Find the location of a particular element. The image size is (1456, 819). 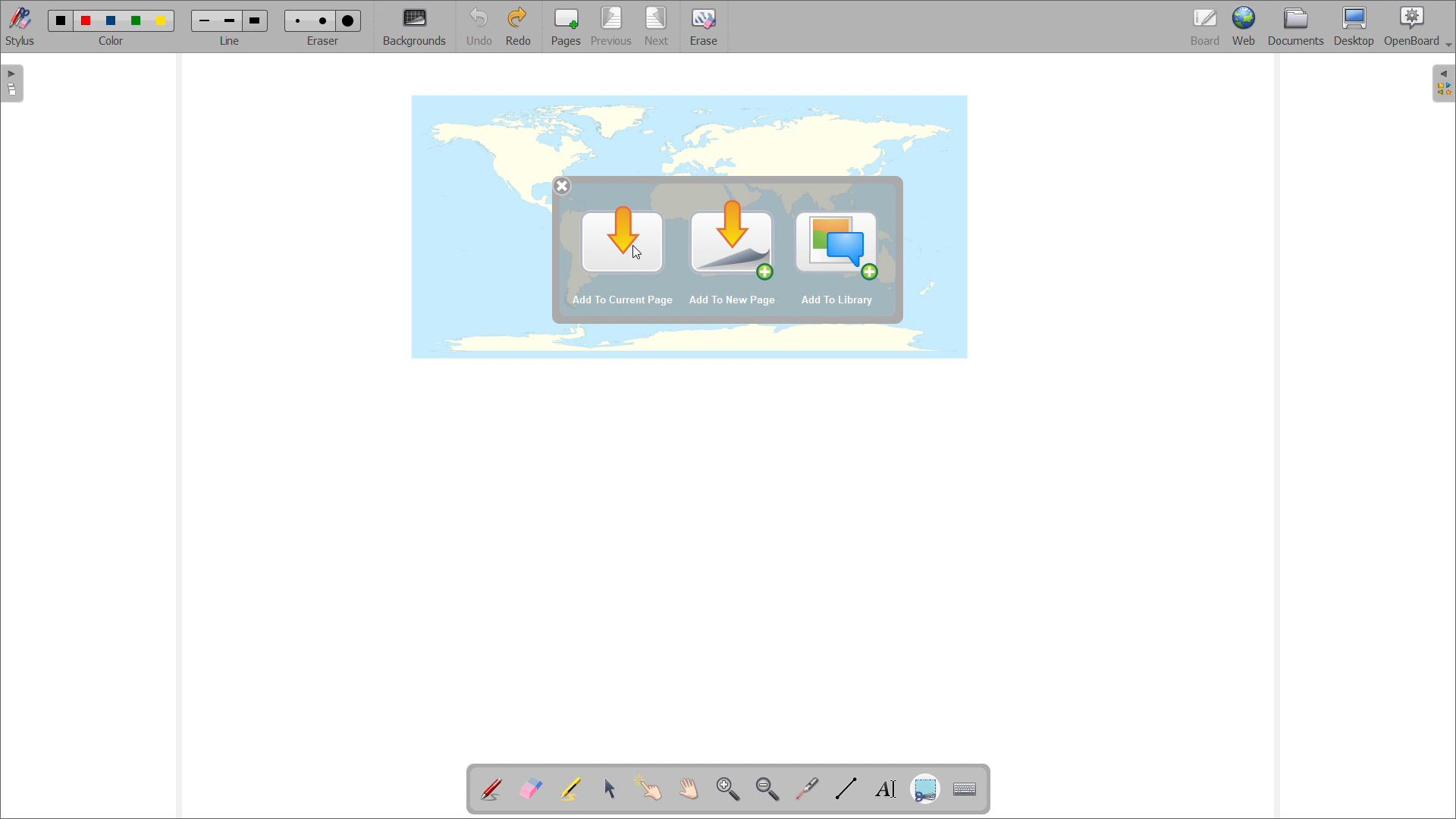

blue is located at coordinates (111, 21).